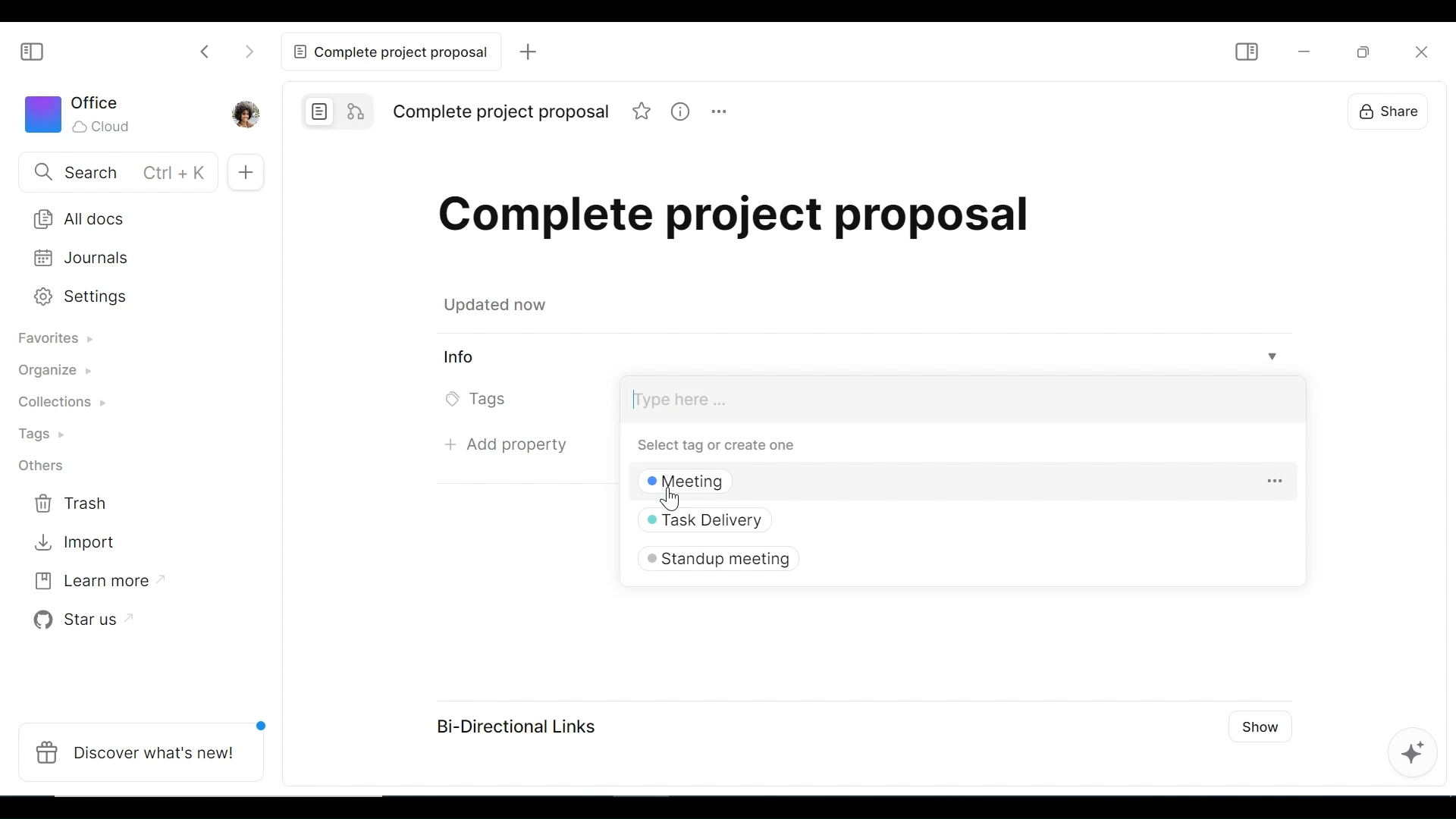 The image size is (1456, 819). Describe the element at coordinates (1417, 753) in the screenshot. I see `AFFiNE AI` at that location.